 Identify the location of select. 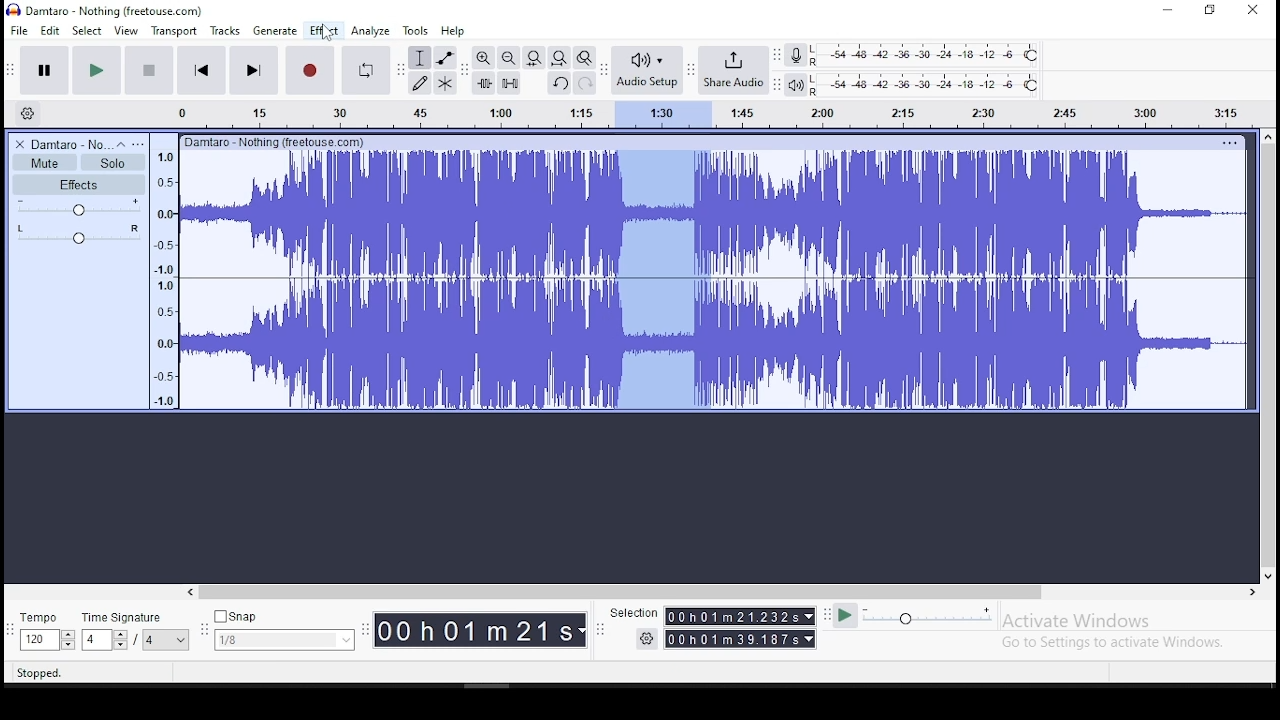
(89, 30).